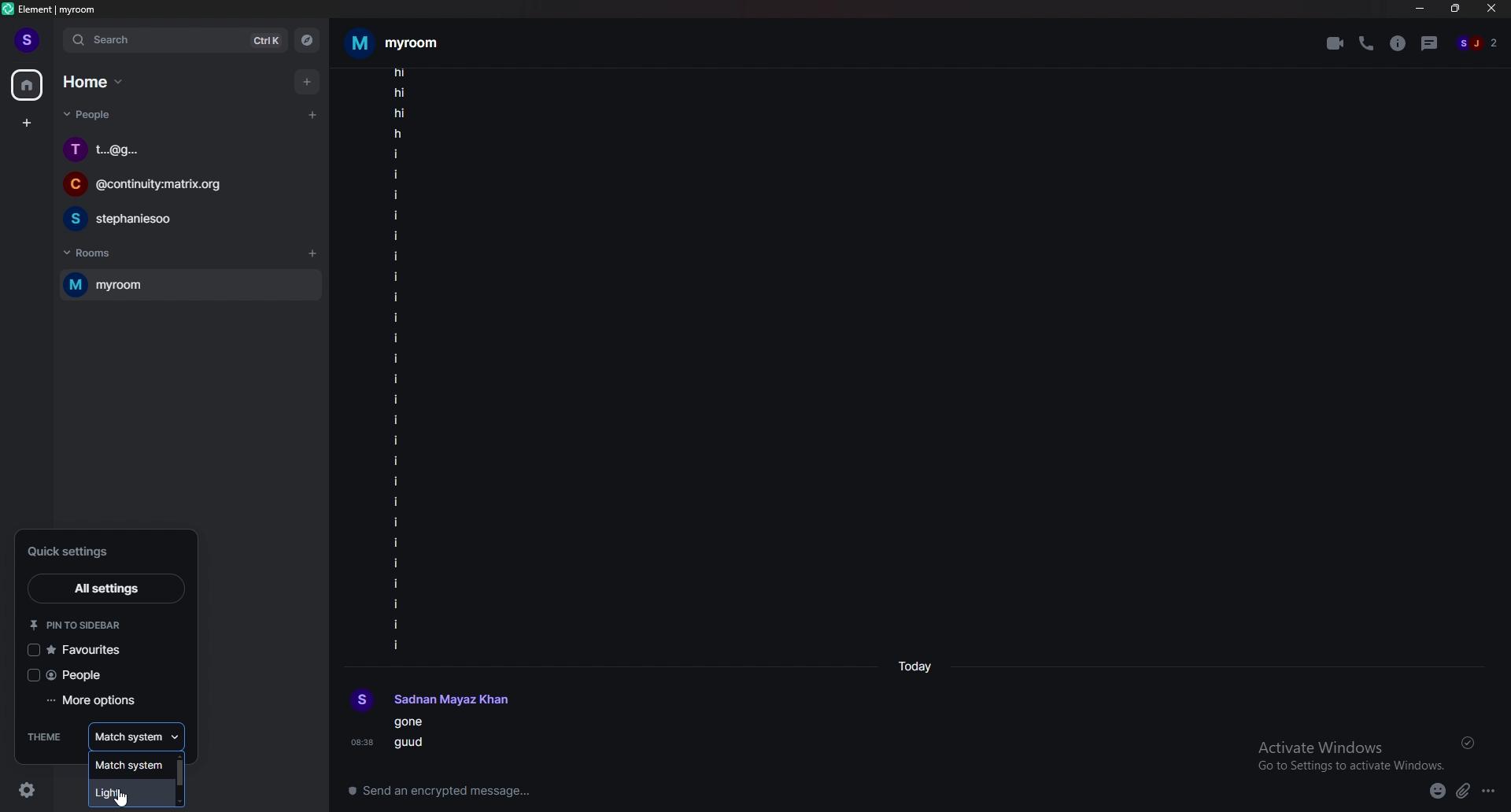 The width and height of the screenshot is (1511, 812). I want to click on home, so click(28, 86).